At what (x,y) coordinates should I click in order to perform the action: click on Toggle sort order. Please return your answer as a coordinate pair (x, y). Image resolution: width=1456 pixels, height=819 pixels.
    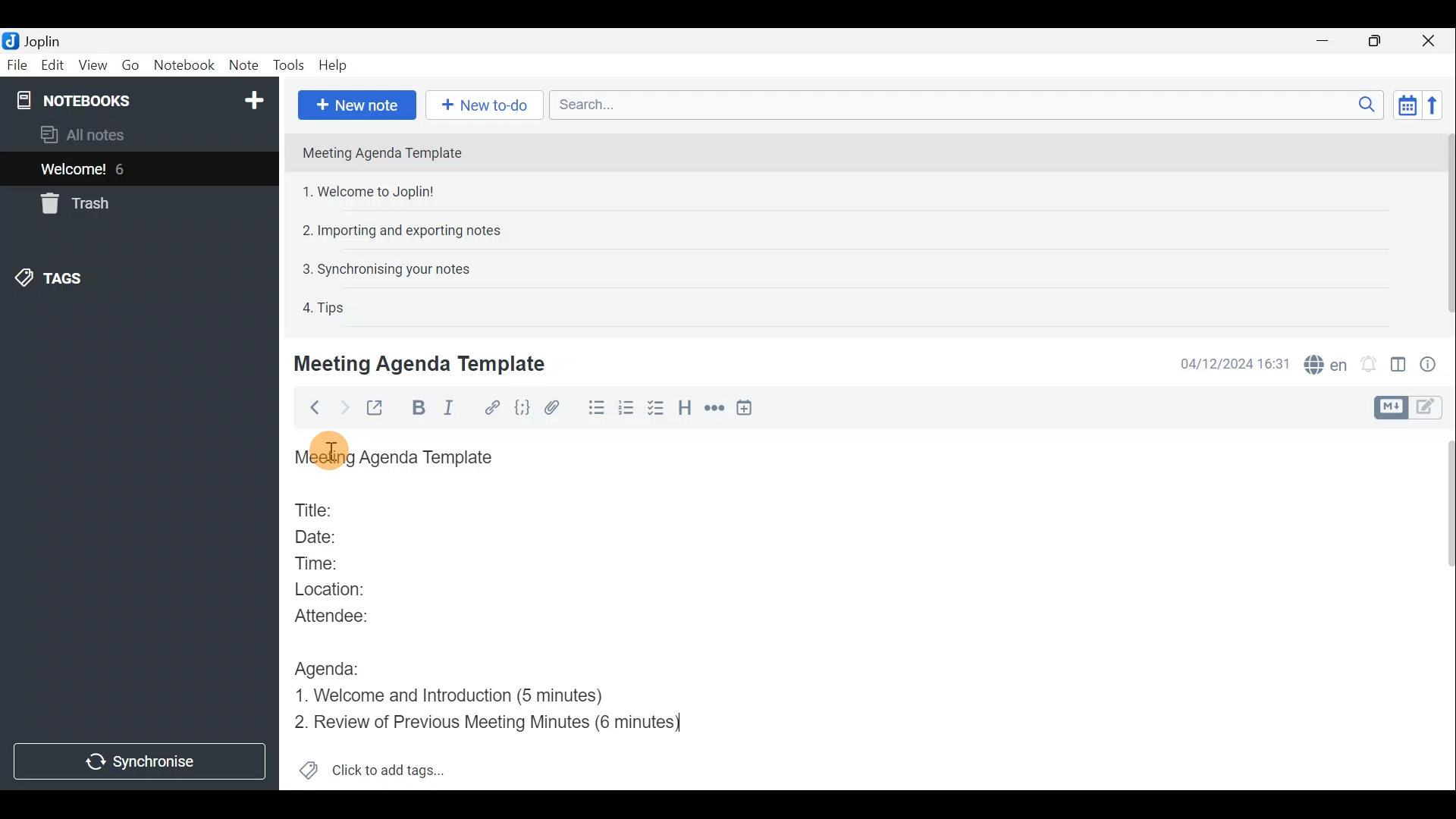
    Looking at the image, I should click on (1404, 103).